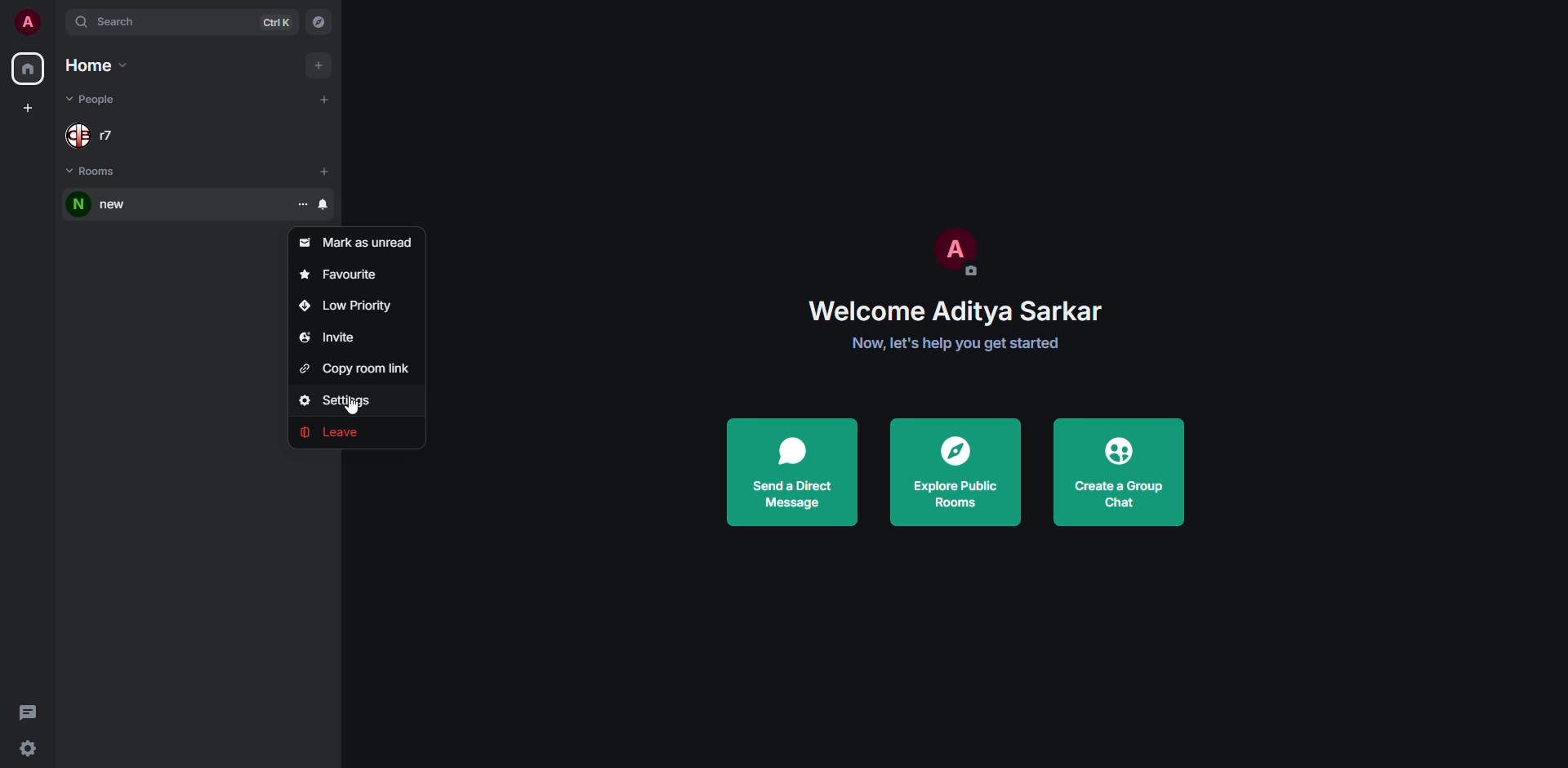  I want to click on room options, so click(355, 203).